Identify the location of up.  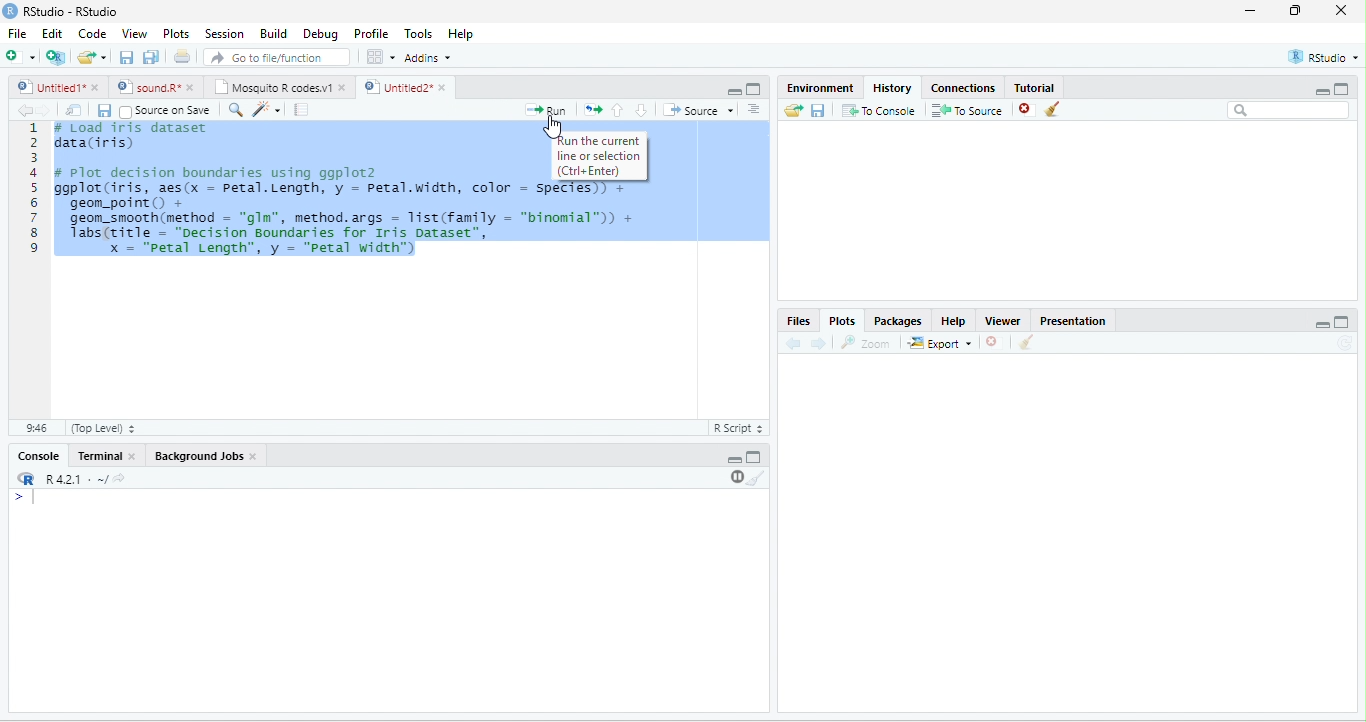
(618, 110).